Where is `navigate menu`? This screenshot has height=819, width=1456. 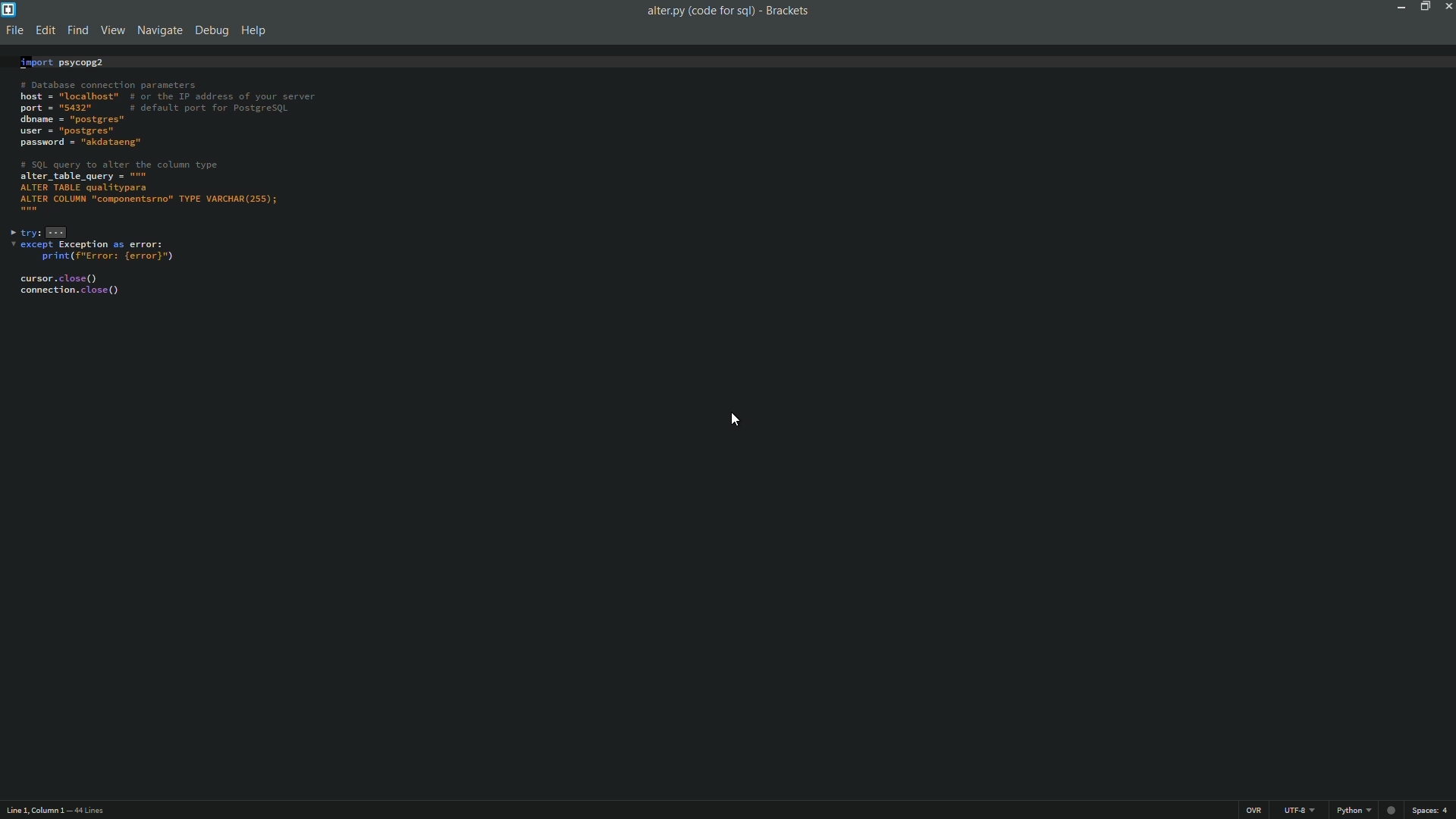 navigate menu is located at coordinates (157, 30).